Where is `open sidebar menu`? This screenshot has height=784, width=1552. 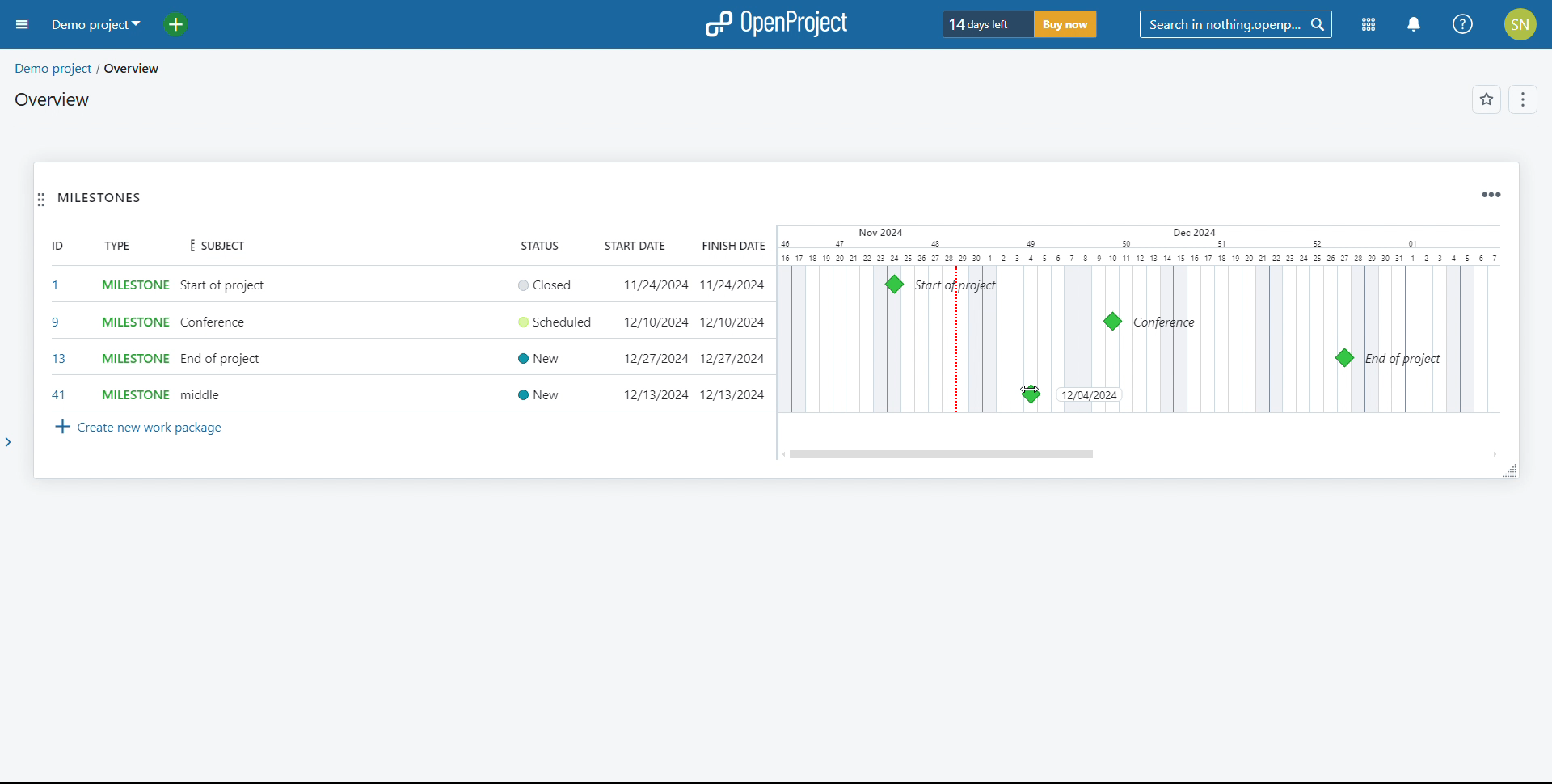
open sidebar menu is located at coordinates (23, 25).